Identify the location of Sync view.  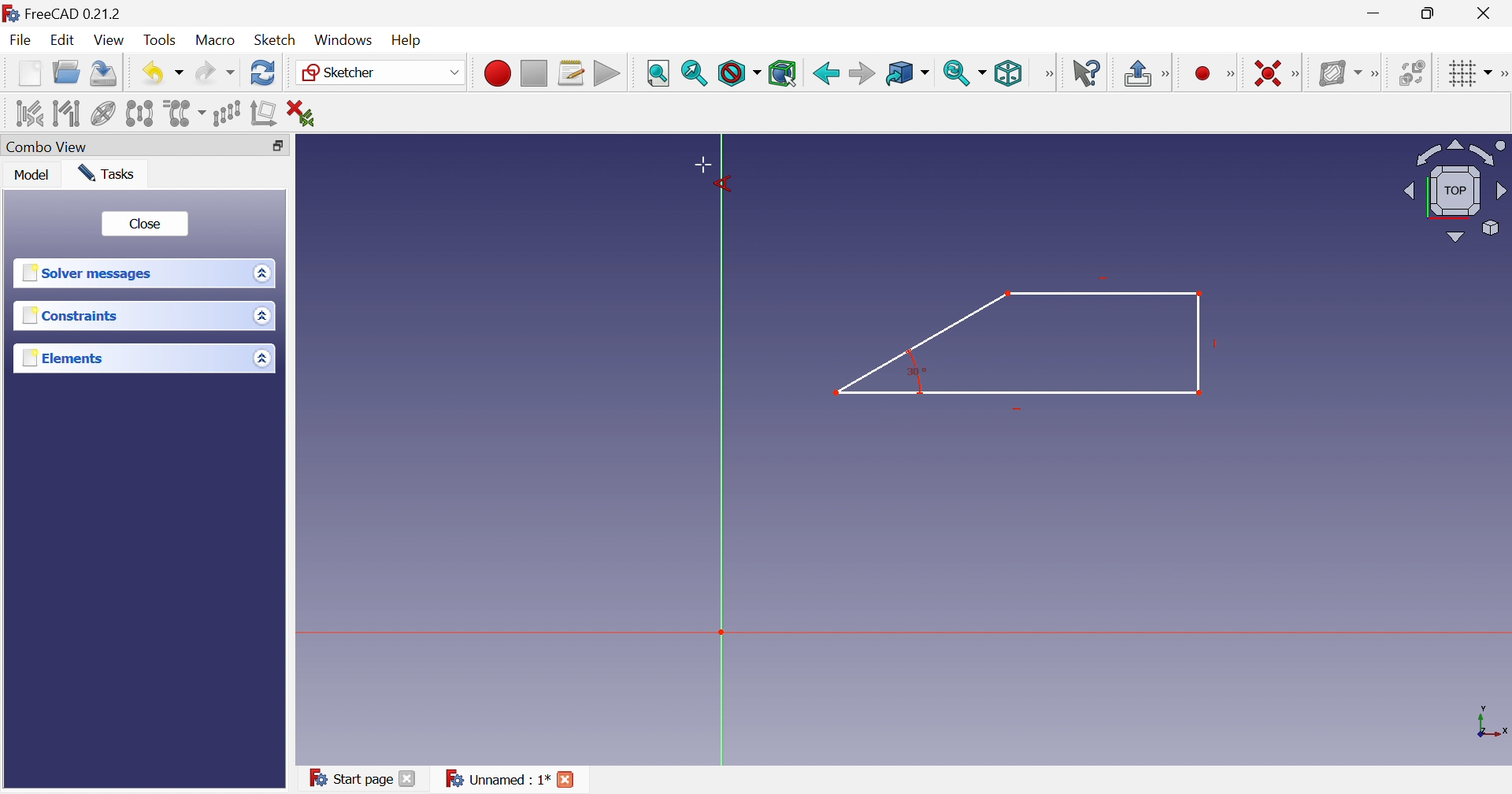
(957, 73).